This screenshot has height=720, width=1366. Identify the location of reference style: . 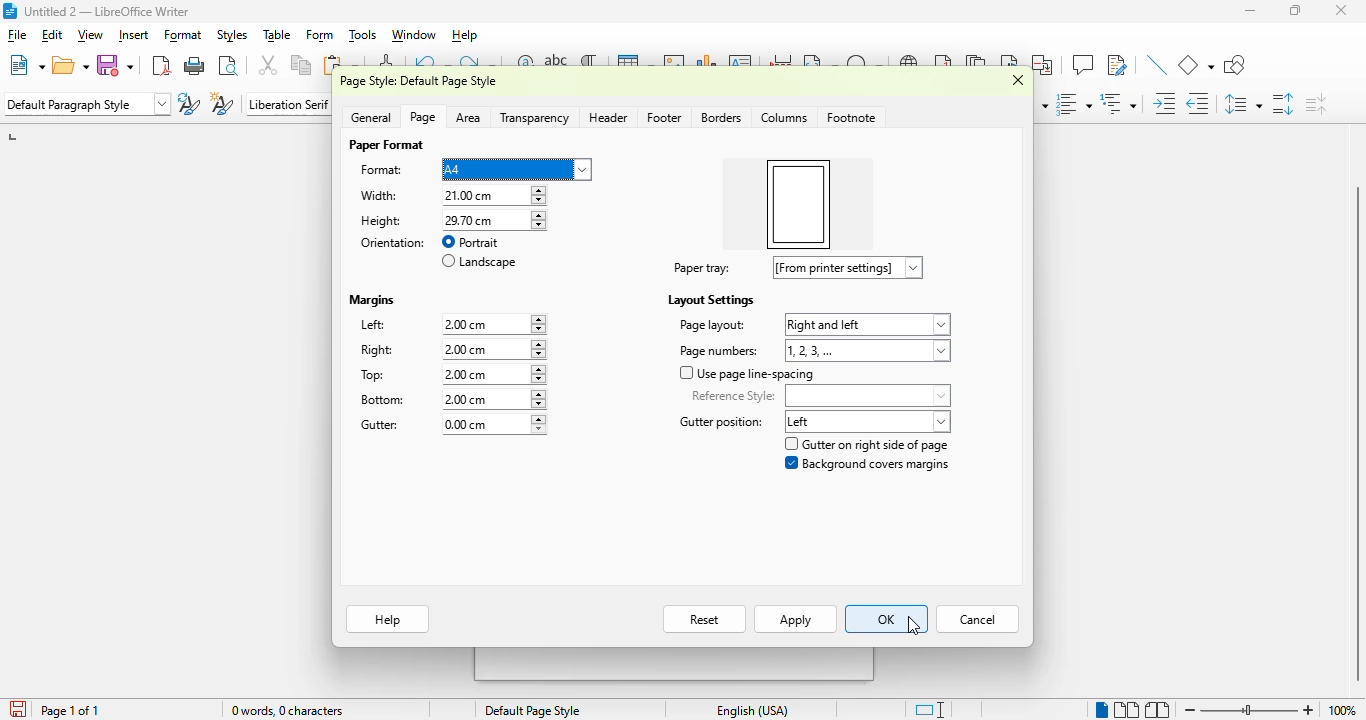
(820, 396).